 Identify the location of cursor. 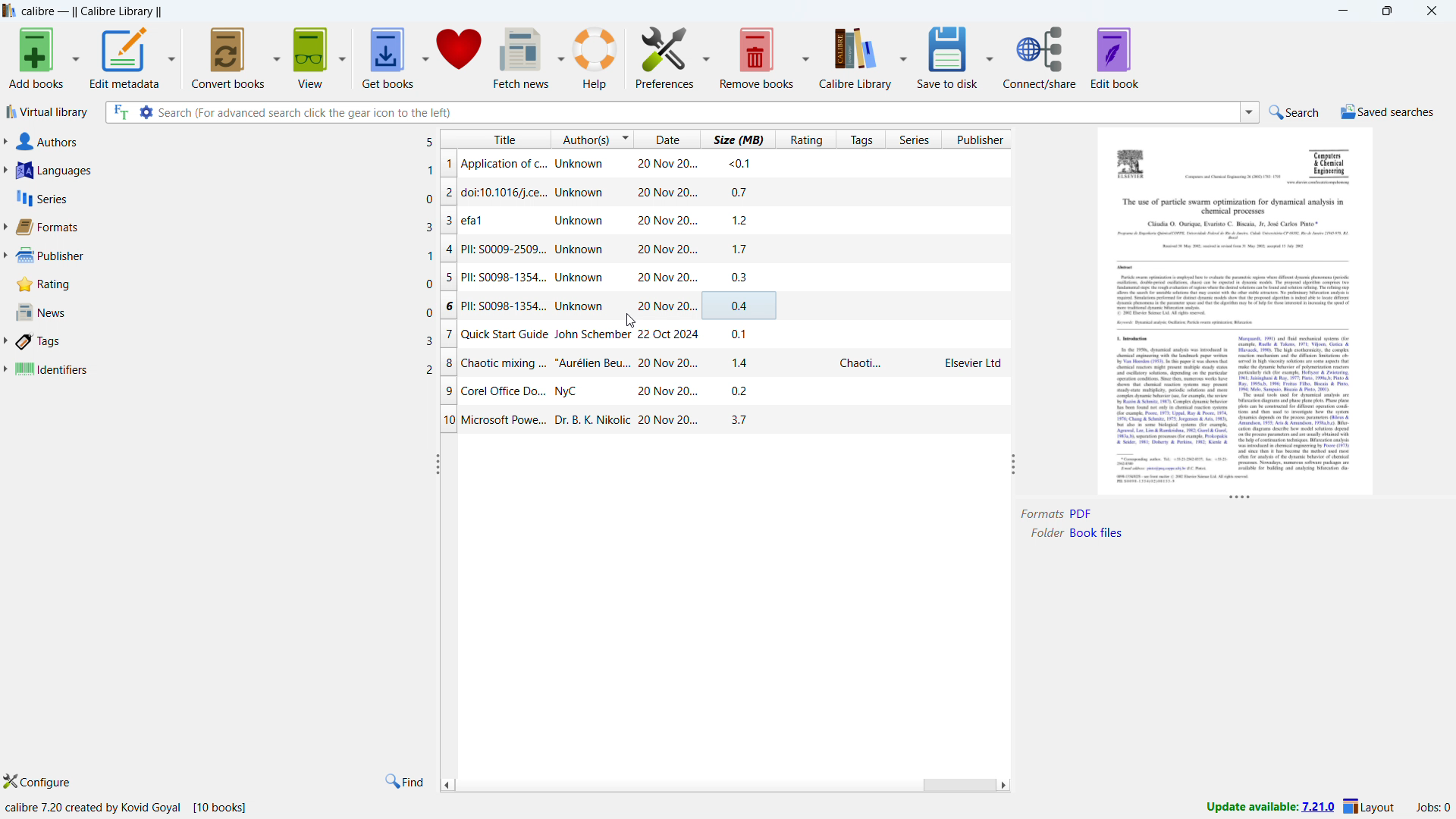
(629, 320).